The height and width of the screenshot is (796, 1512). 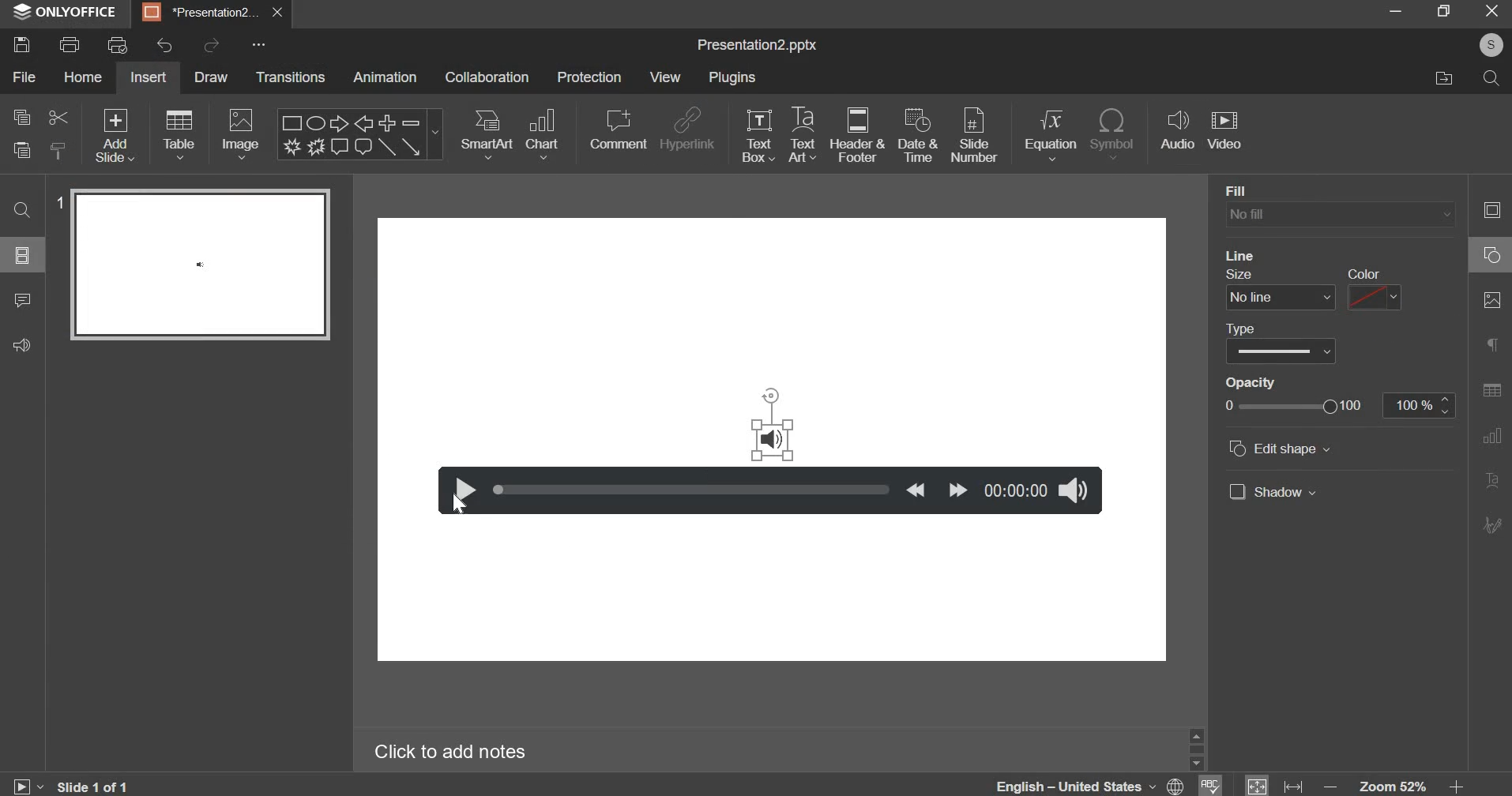 What do you see at coordinates (58, 202) in the screenshot?
I see `slide number` at bounding box center [58, 202].